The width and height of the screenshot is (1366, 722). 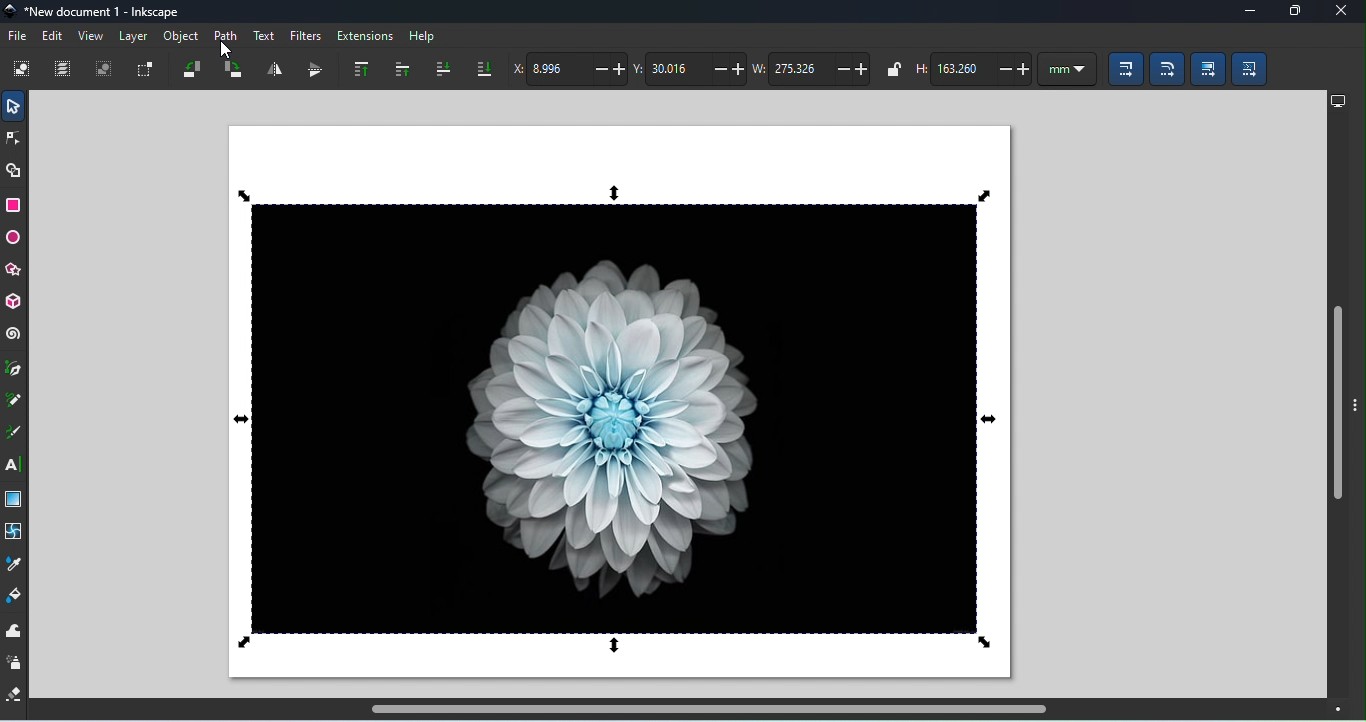 I want to click on File, so click(x=17, y=34).